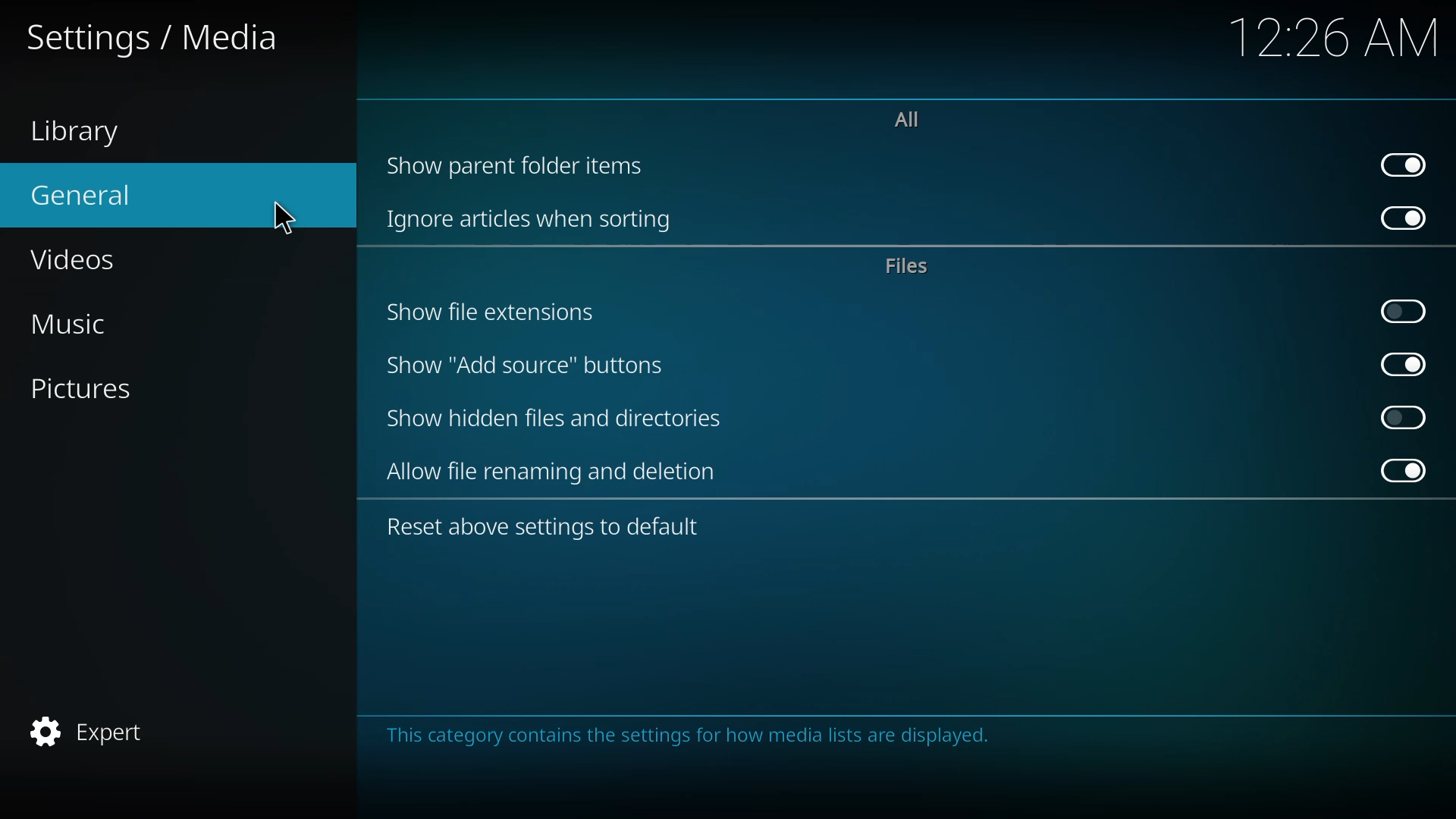  Describe the element at coordinates (162, 42) in the screenshot. I see `settings media` at that location.